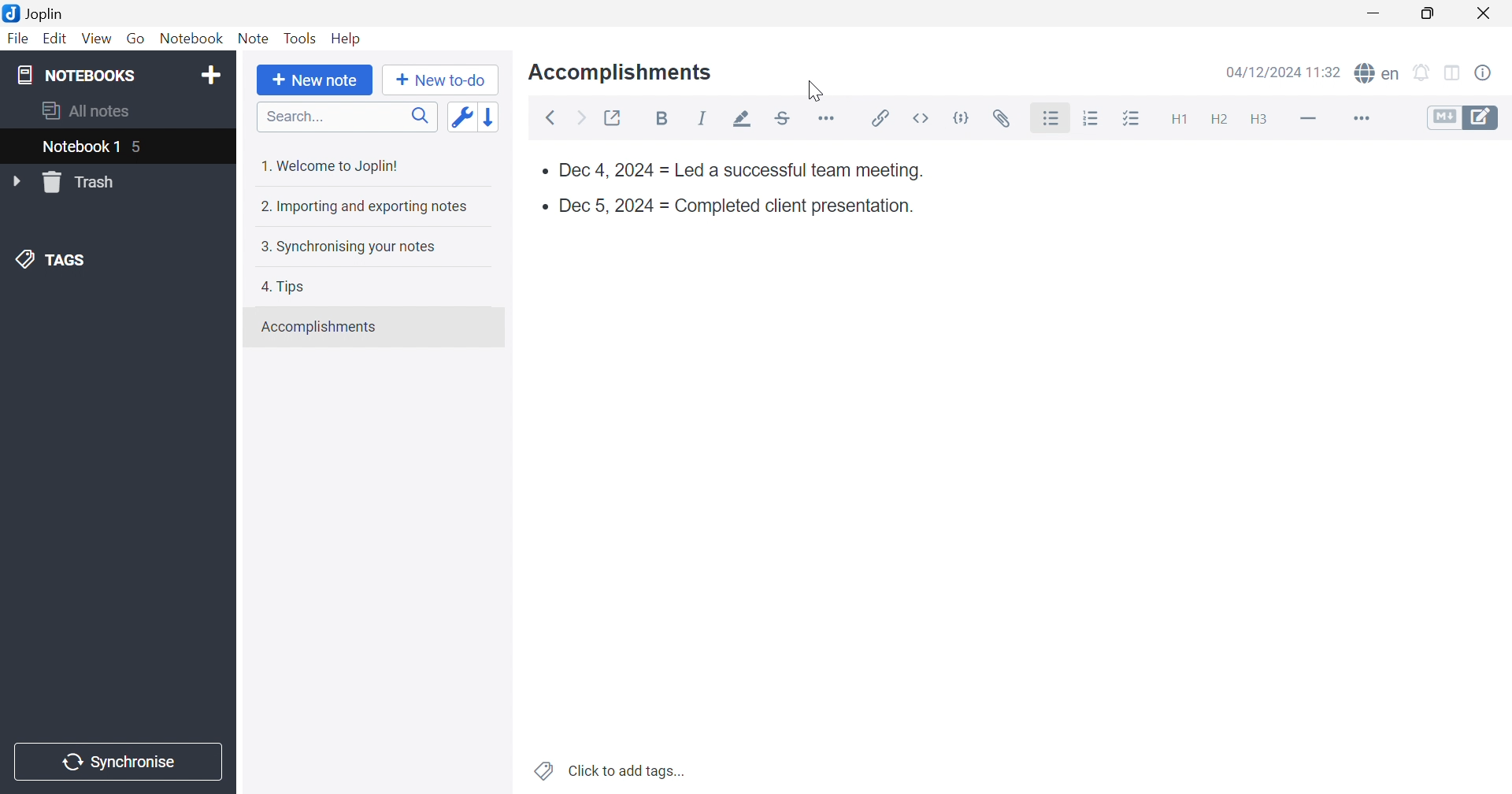 The image size is (1512, 794). What do you see at coordinates (95, 39) in the screenshot?
I see `View` at bounding box center [95, 39].